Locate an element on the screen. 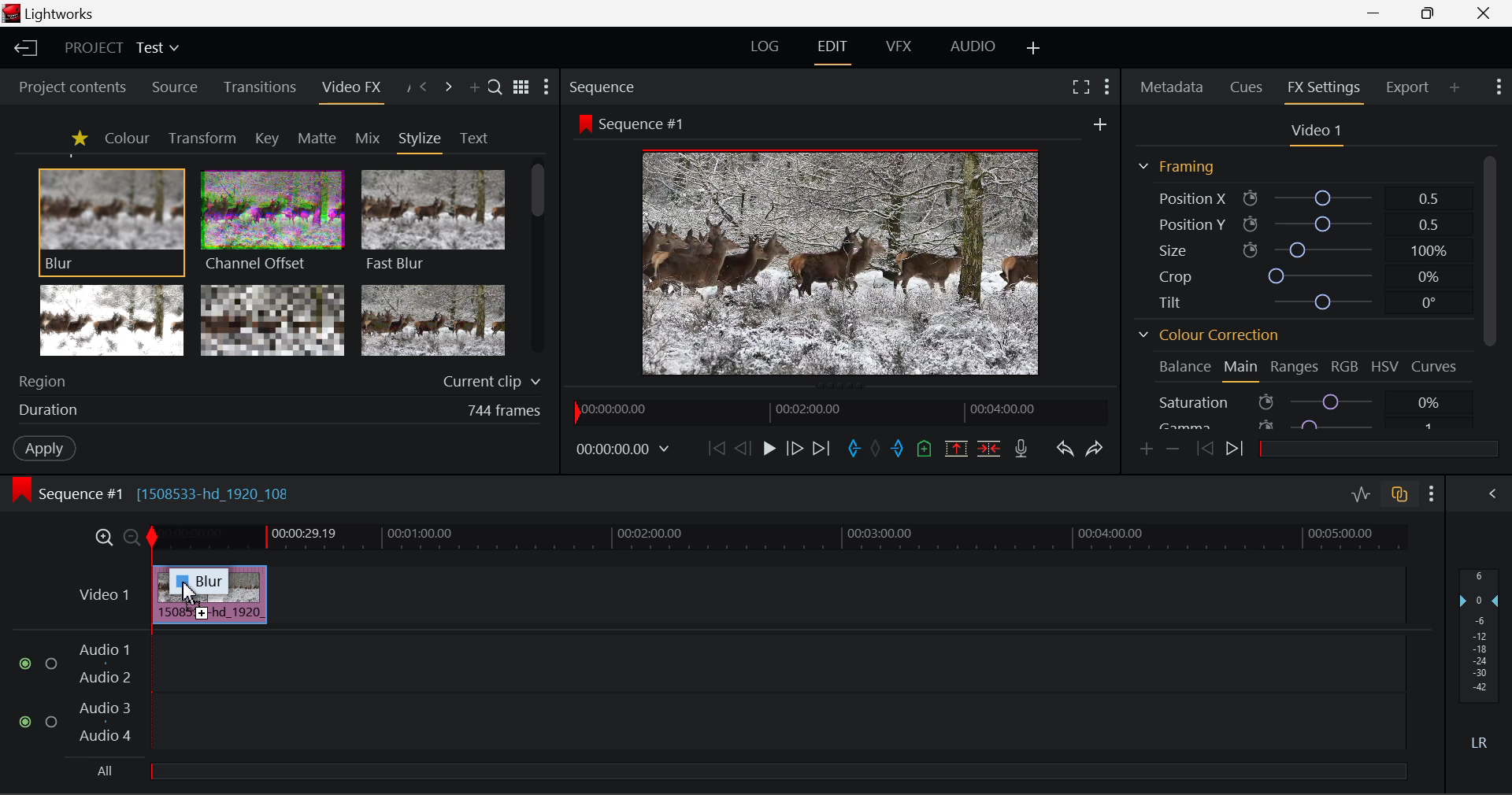 The image size is (1512, 795). Mark Cue is located at coordinates (925, 448).